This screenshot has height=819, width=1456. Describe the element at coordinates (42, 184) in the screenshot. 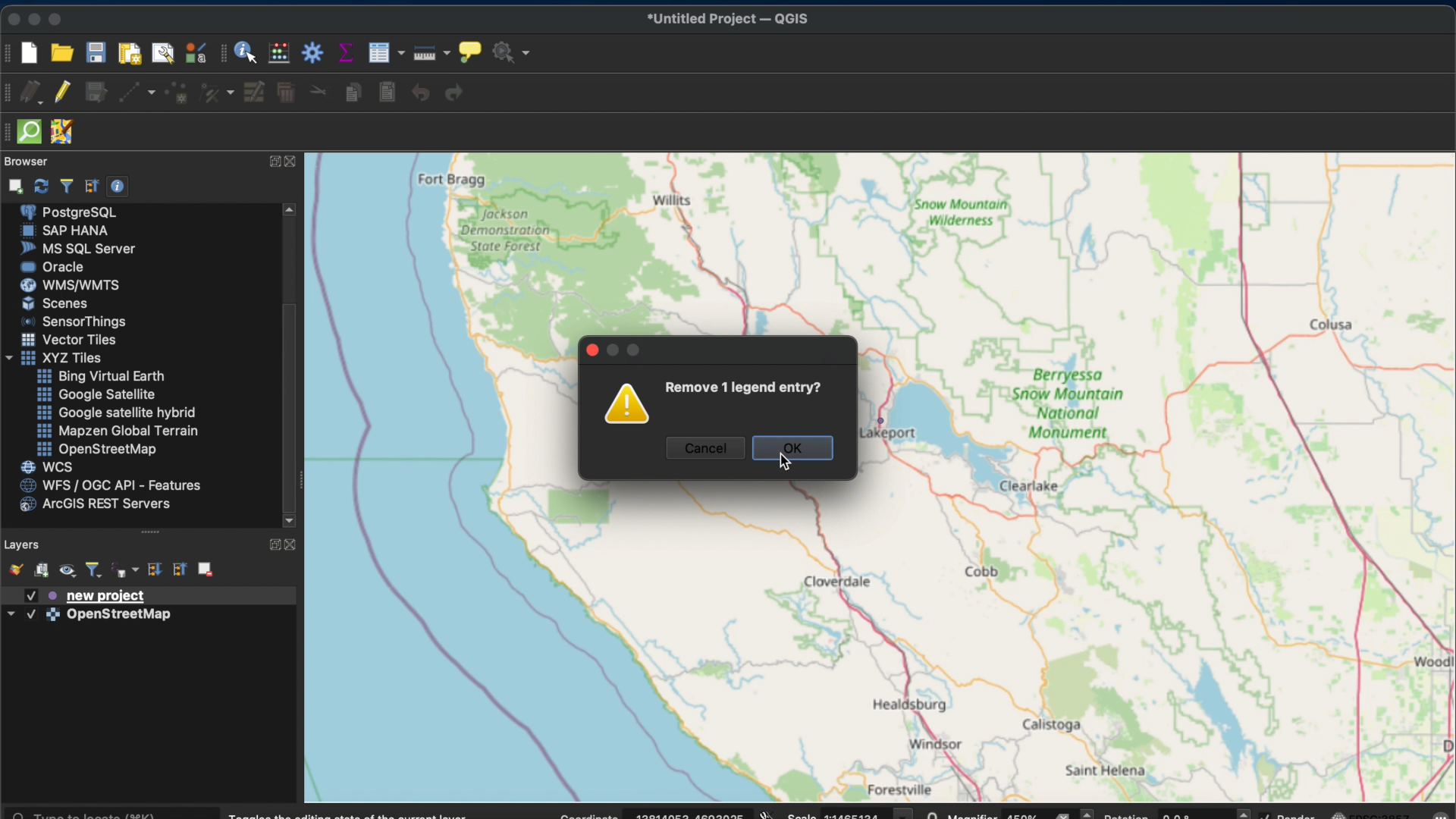

I see `refresh` at that location.